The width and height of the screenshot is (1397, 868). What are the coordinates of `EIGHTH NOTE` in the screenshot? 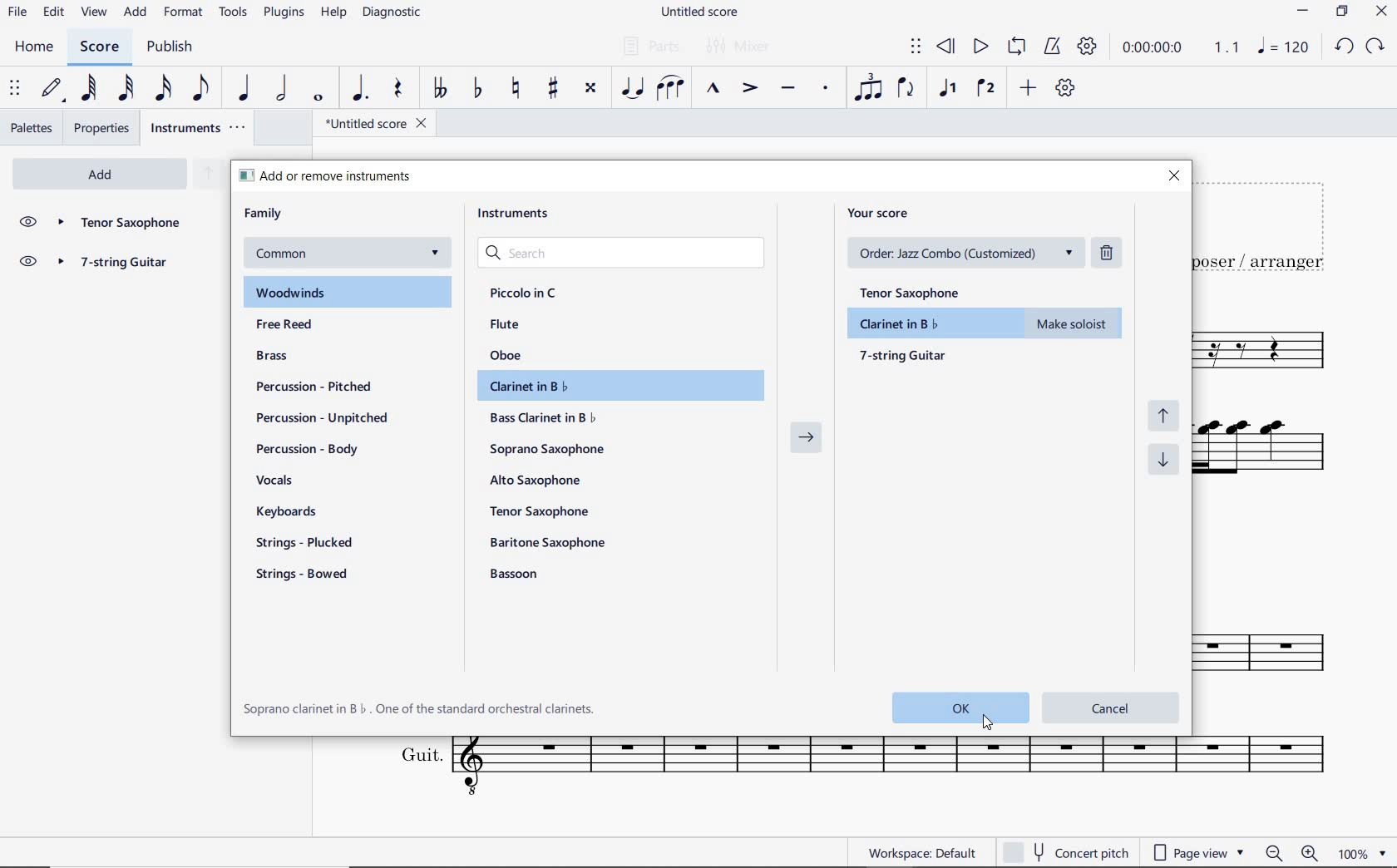 It's located at (202, 86).